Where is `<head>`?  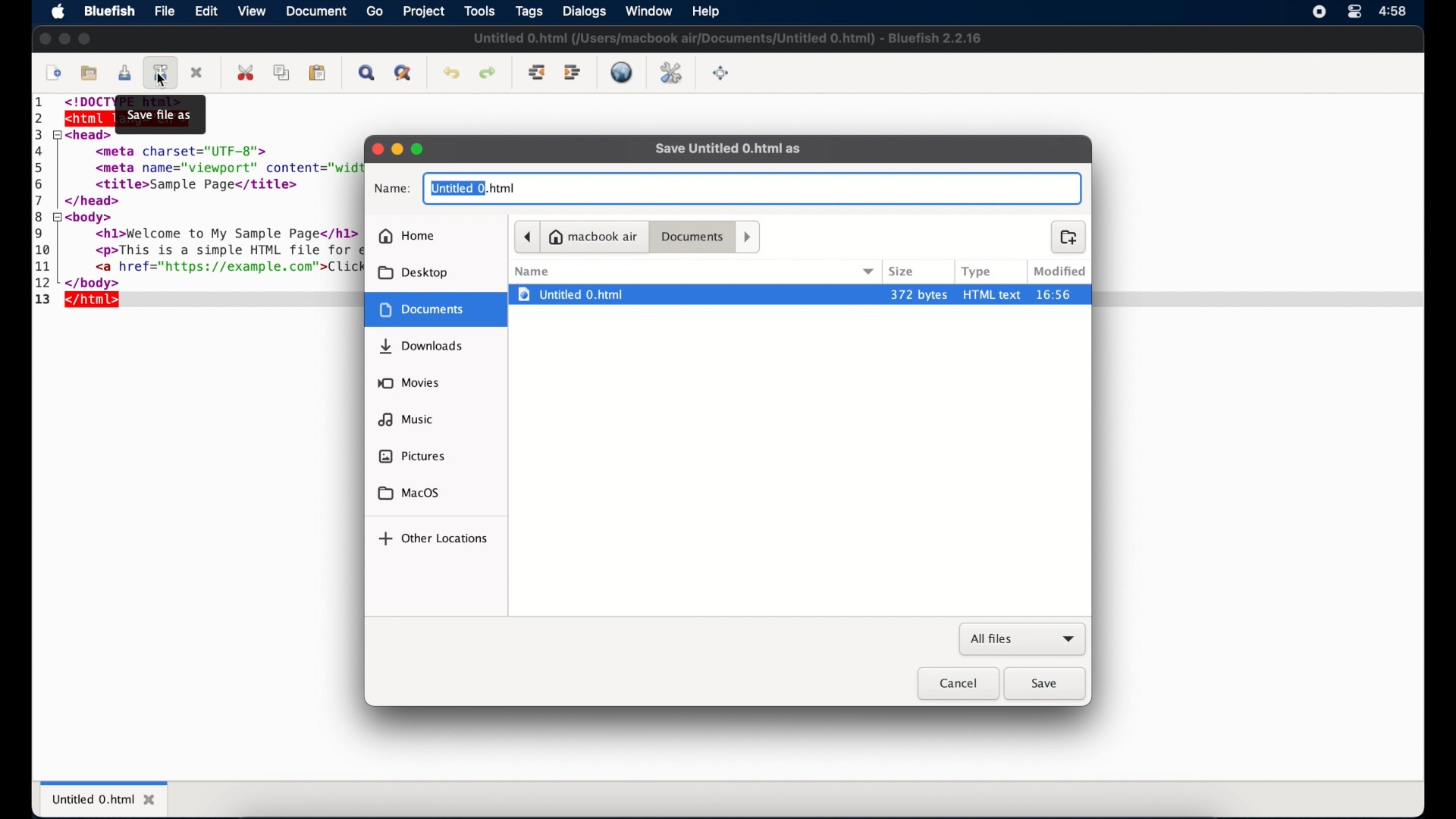
<head> is located at coordinates (88, 134).